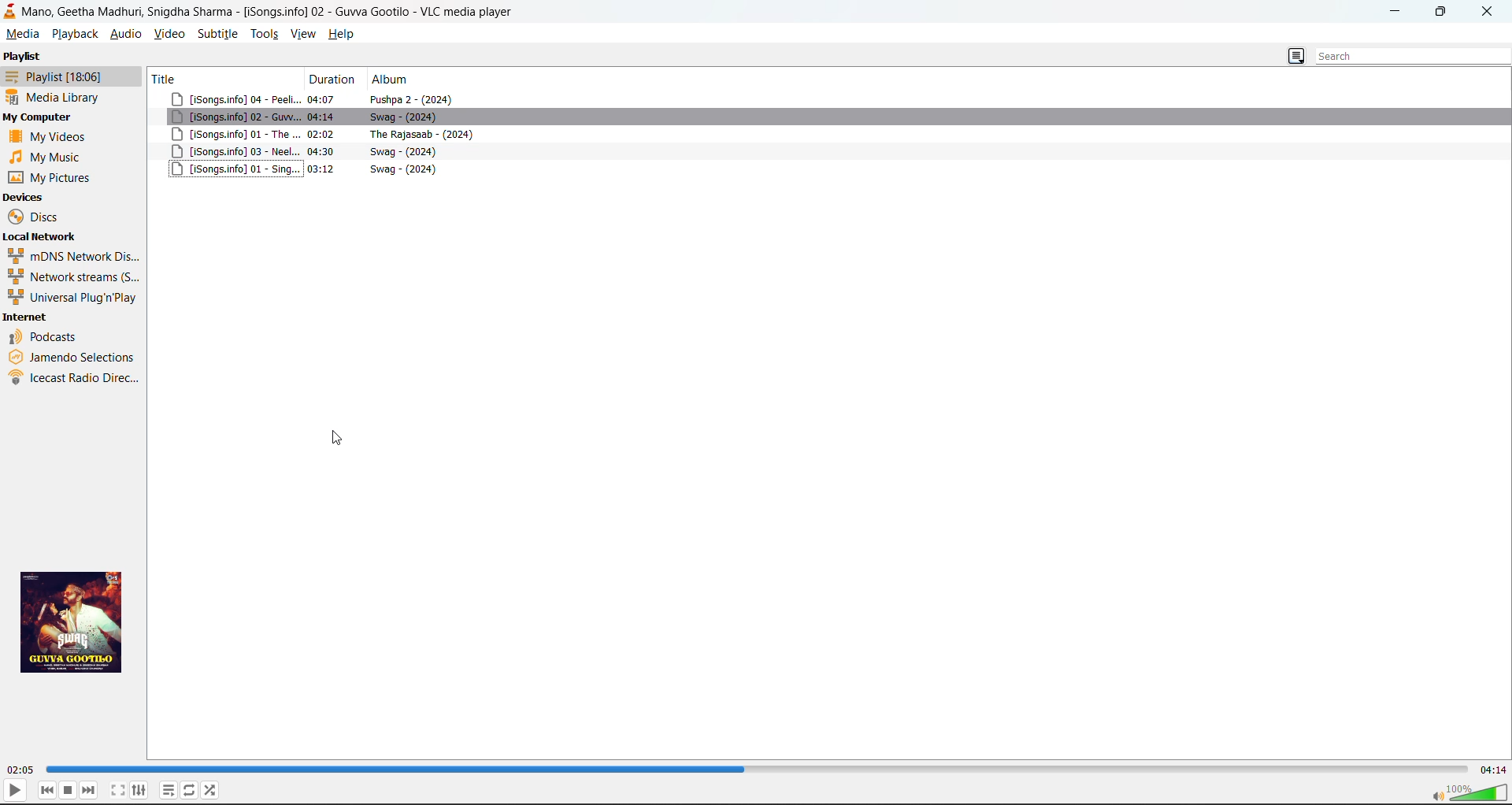  What do you see at coordinates (37, 217) in the screenshot?
I see `discs` at bounding box center [37, 217].